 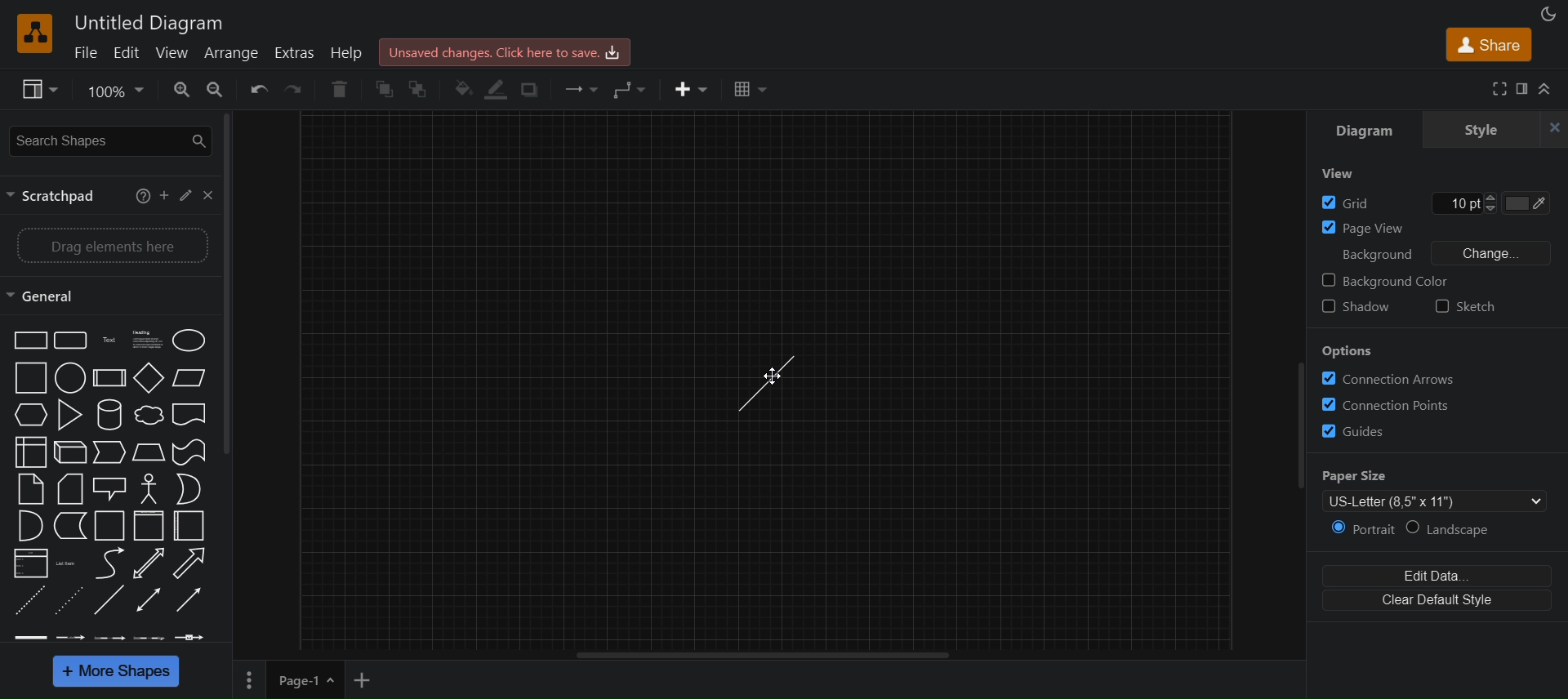 What do you see at coordinates (69, 340) in the screenshot?
I see `Rounded rectangle` at bounding box center [69, 340].